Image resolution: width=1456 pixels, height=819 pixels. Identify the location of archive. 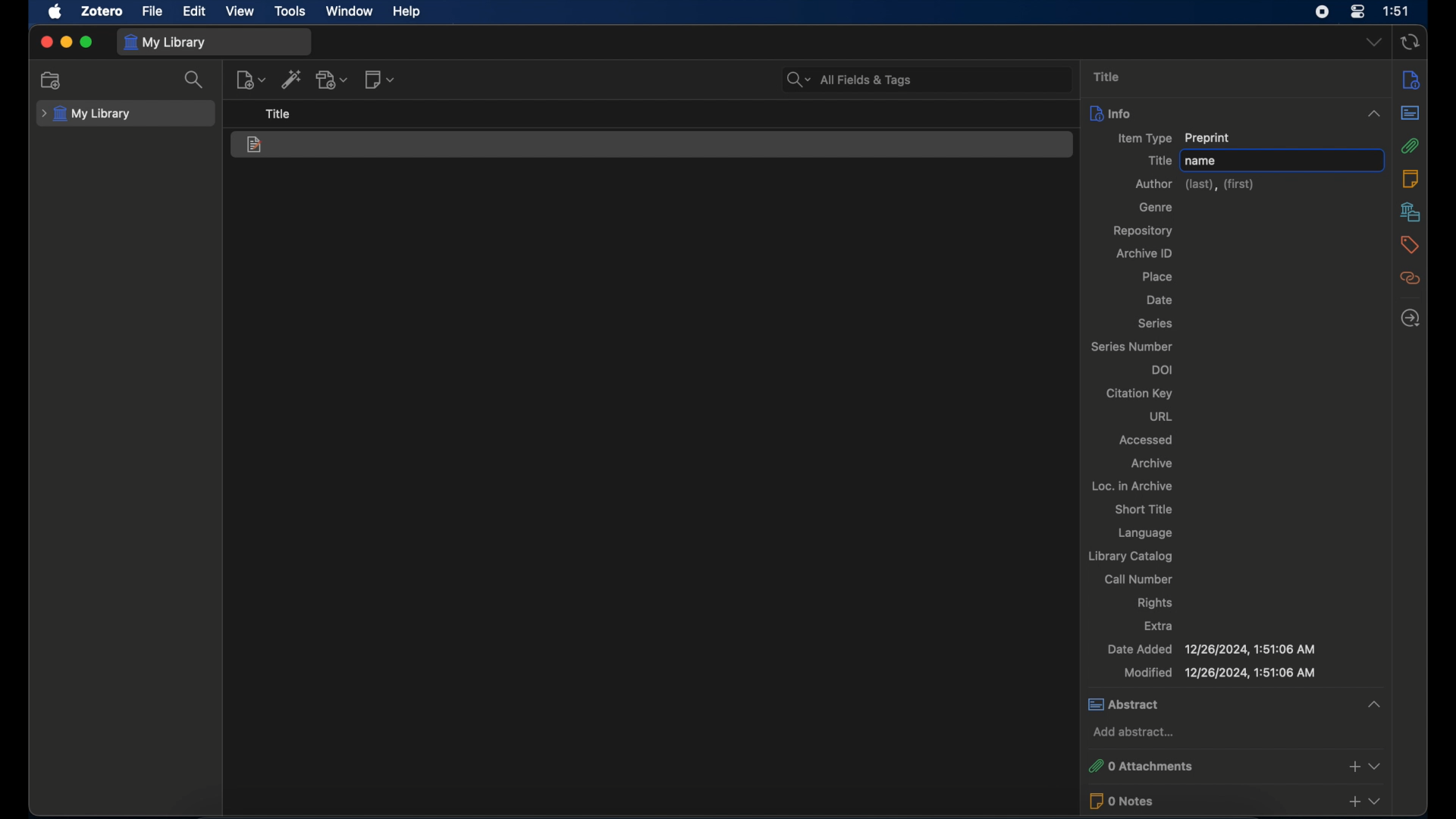
(1154, 464).